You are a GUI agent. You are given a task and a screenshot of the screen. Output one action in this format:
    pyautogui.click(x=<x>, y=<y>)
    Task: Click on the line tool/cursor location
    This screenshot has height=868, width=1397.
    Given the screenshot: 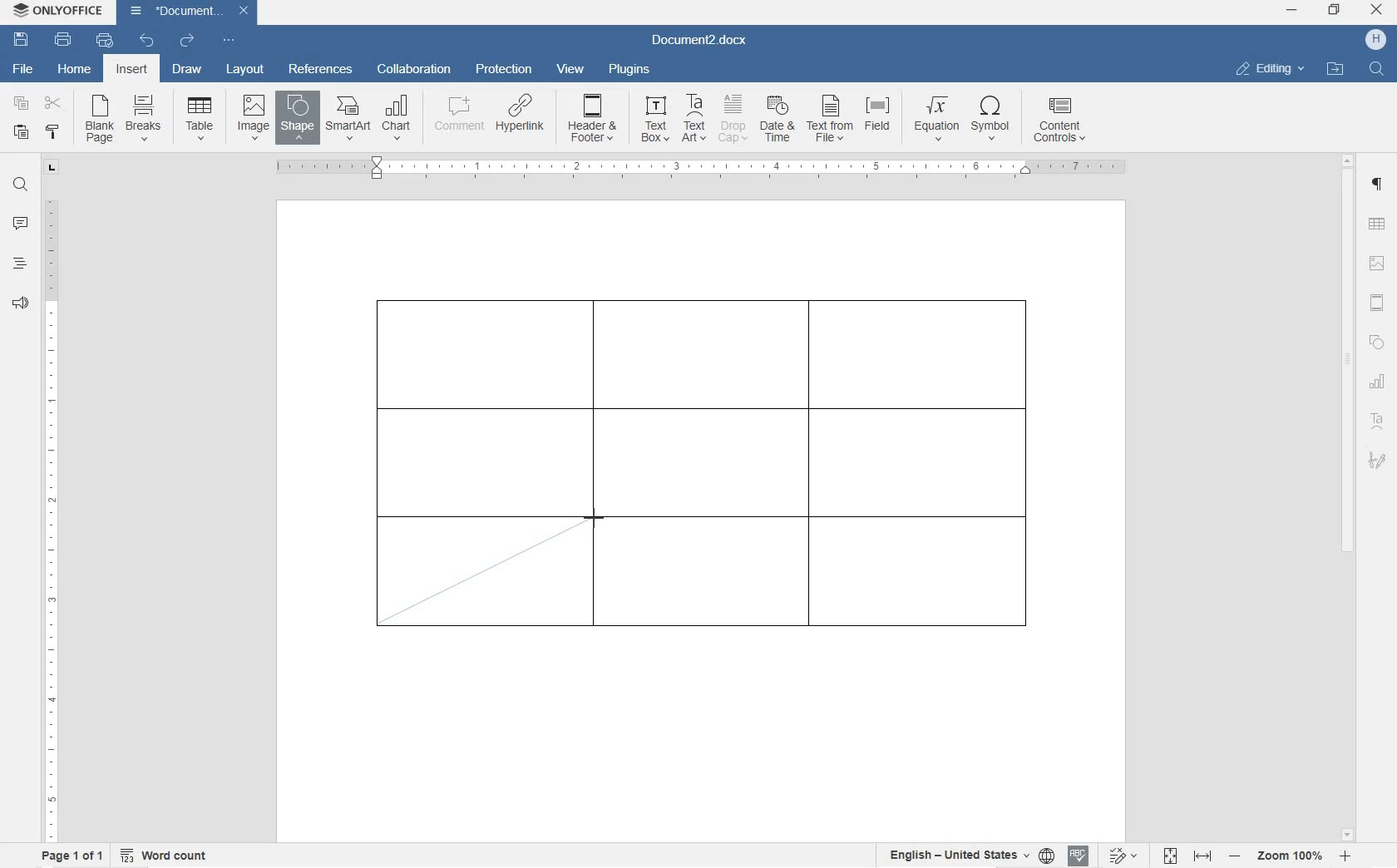 What is the action you would take?
    pyautogui.click(x=595, y=520)
    